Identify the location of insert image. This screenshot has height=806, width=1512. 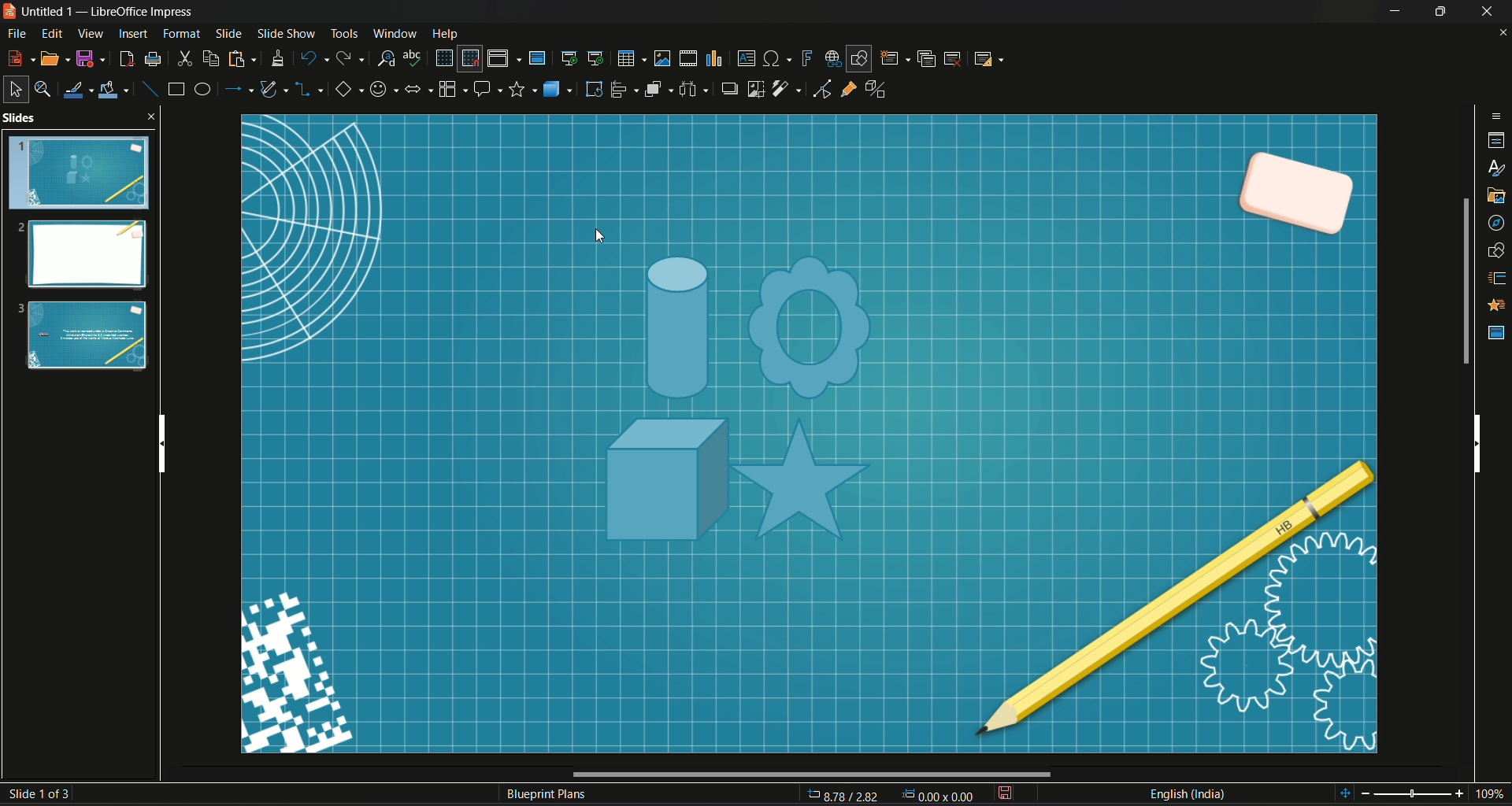
(662, 57).